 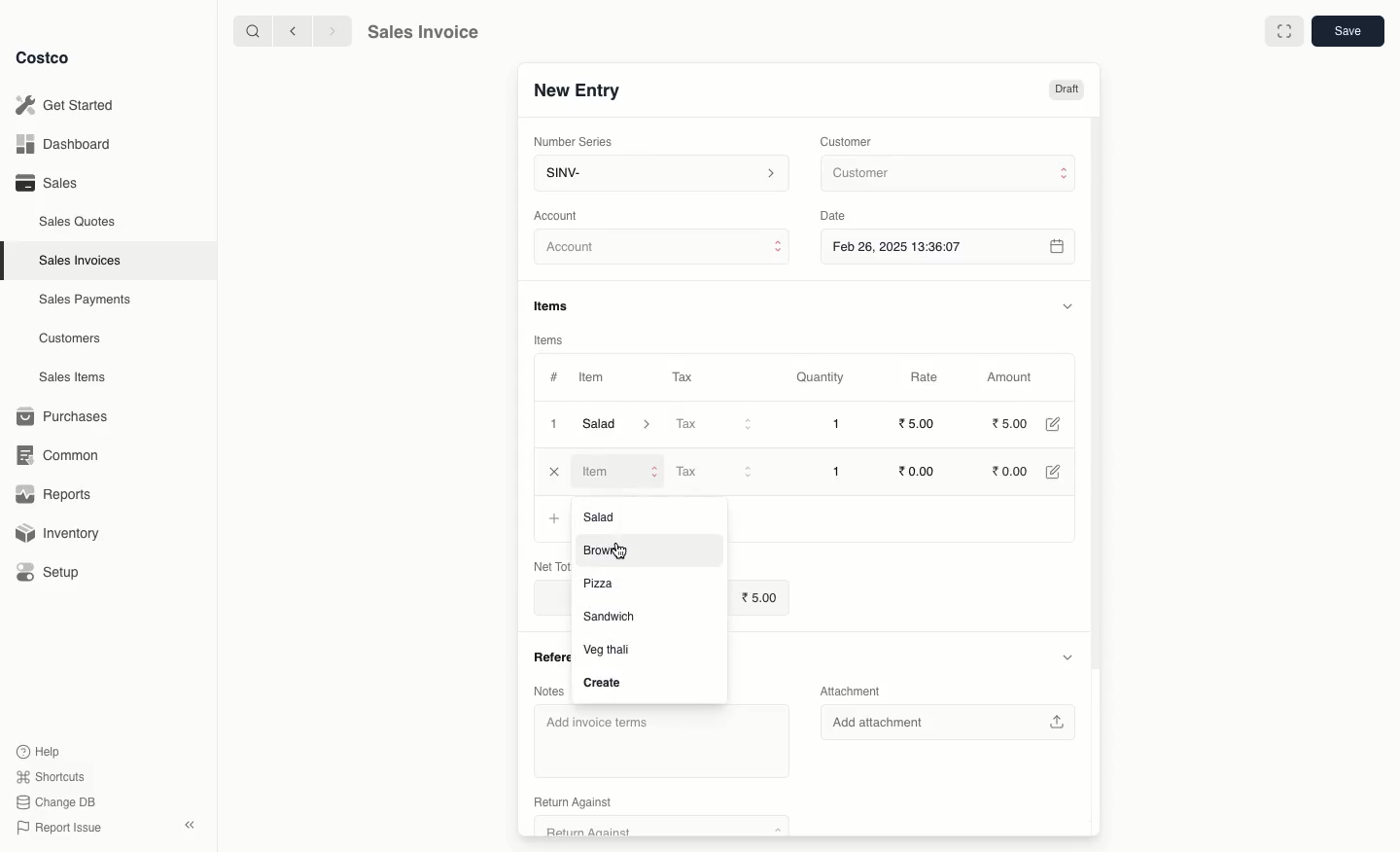 What do you see at coordinates (594, 379) in the screenshot?
I see `Item` at bounding box center [594, 379].